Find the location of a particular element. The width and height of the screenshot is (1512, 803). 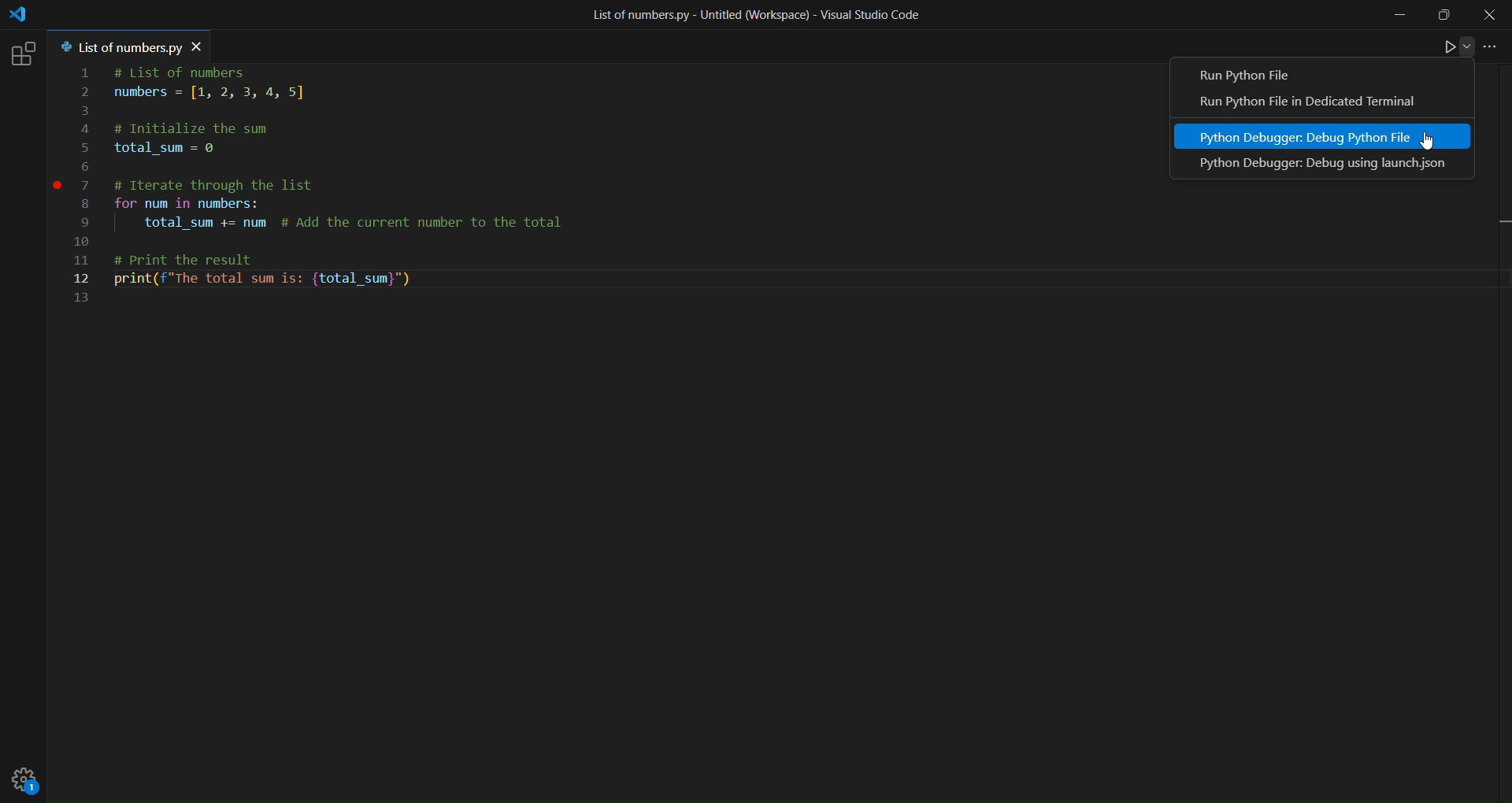

inserted breakpoint is located at coordinates (57, 187).